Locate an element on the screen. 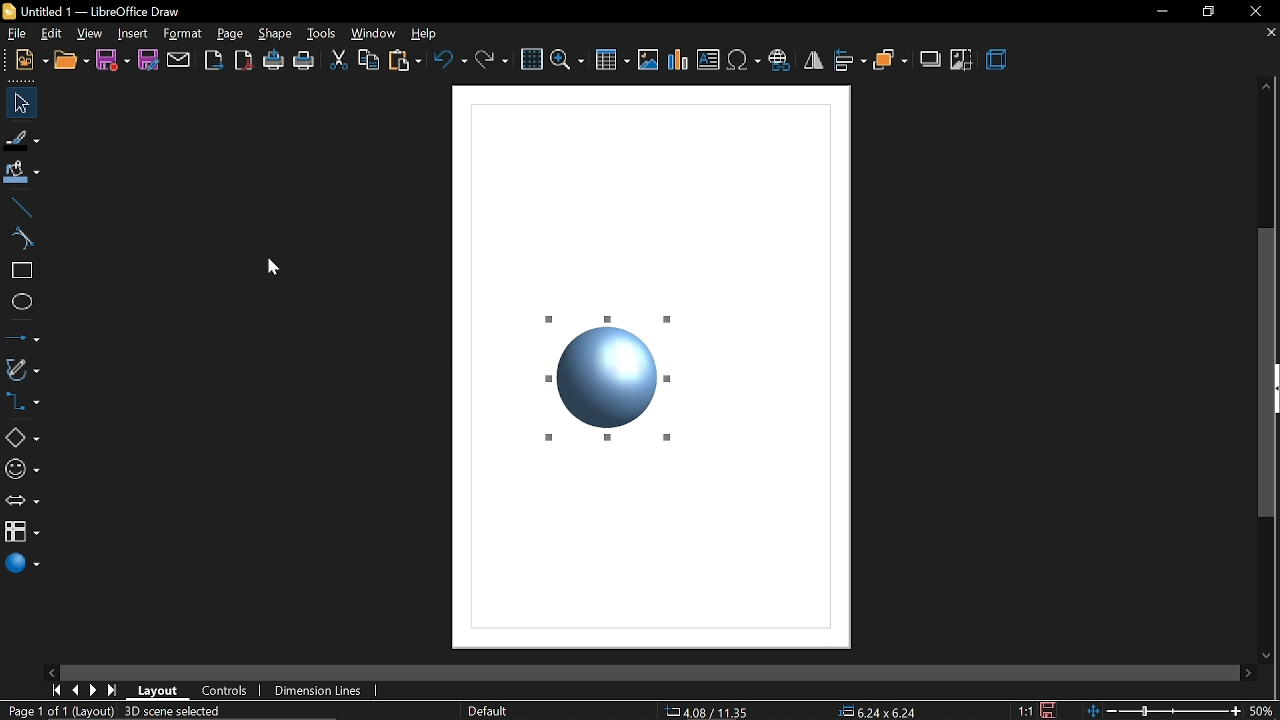  basic shapes is located at coordinates (23, 439).